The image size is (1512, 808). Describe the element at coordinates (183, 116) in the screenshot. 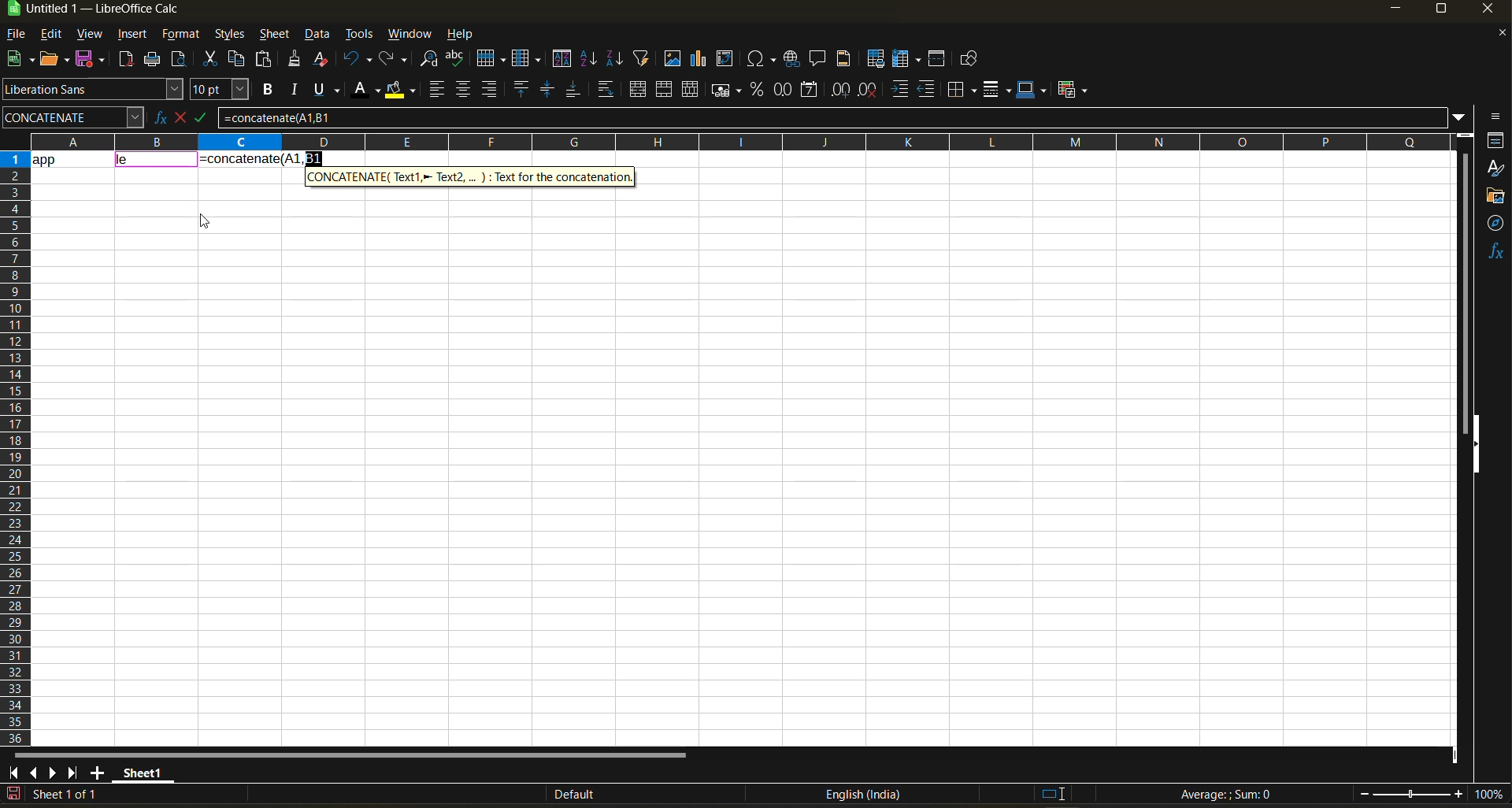

I see `select function` at that location.